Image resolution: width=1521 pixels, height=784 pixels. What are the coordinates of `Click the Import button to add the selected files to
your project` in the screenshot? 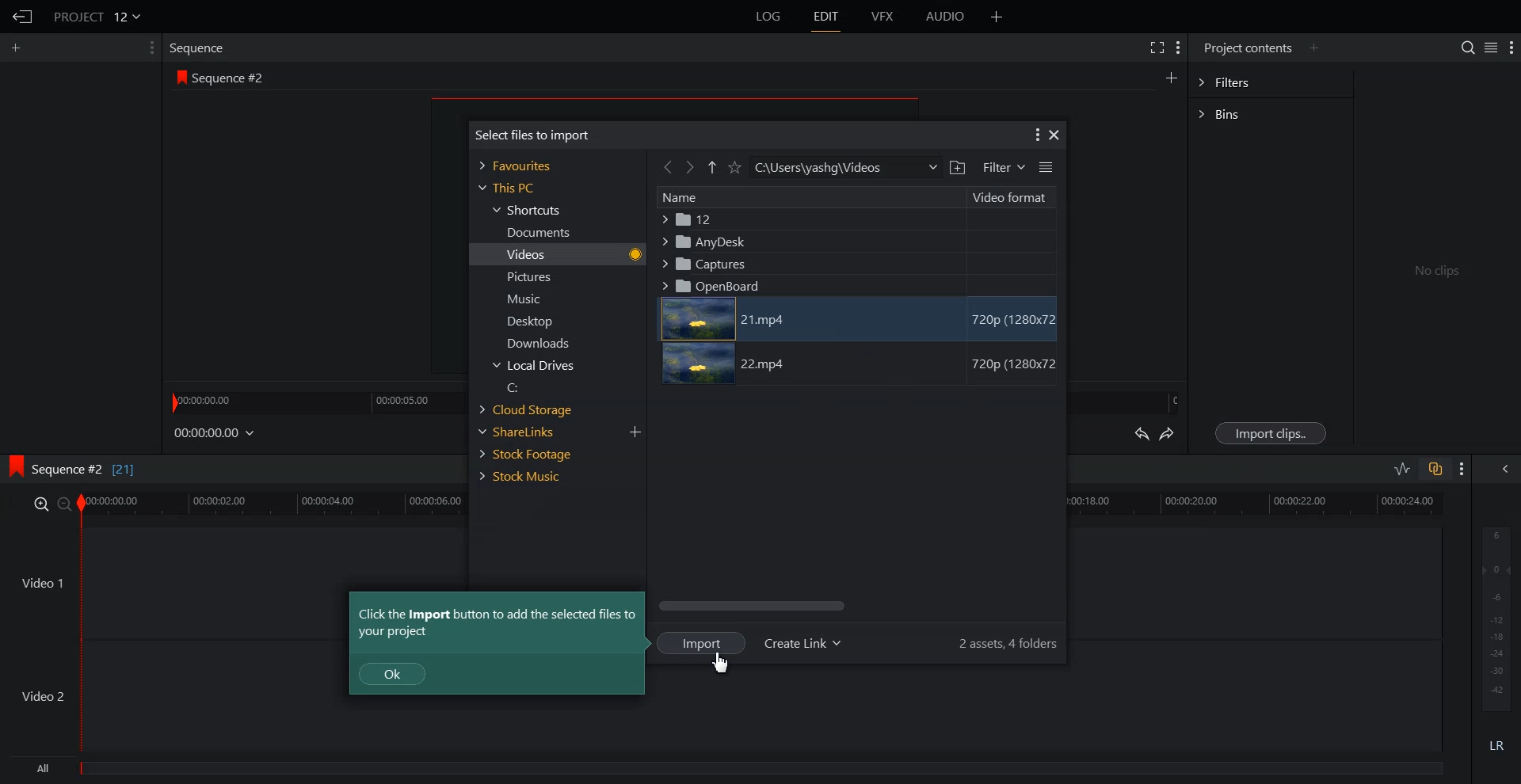 It's located at (497, 623).